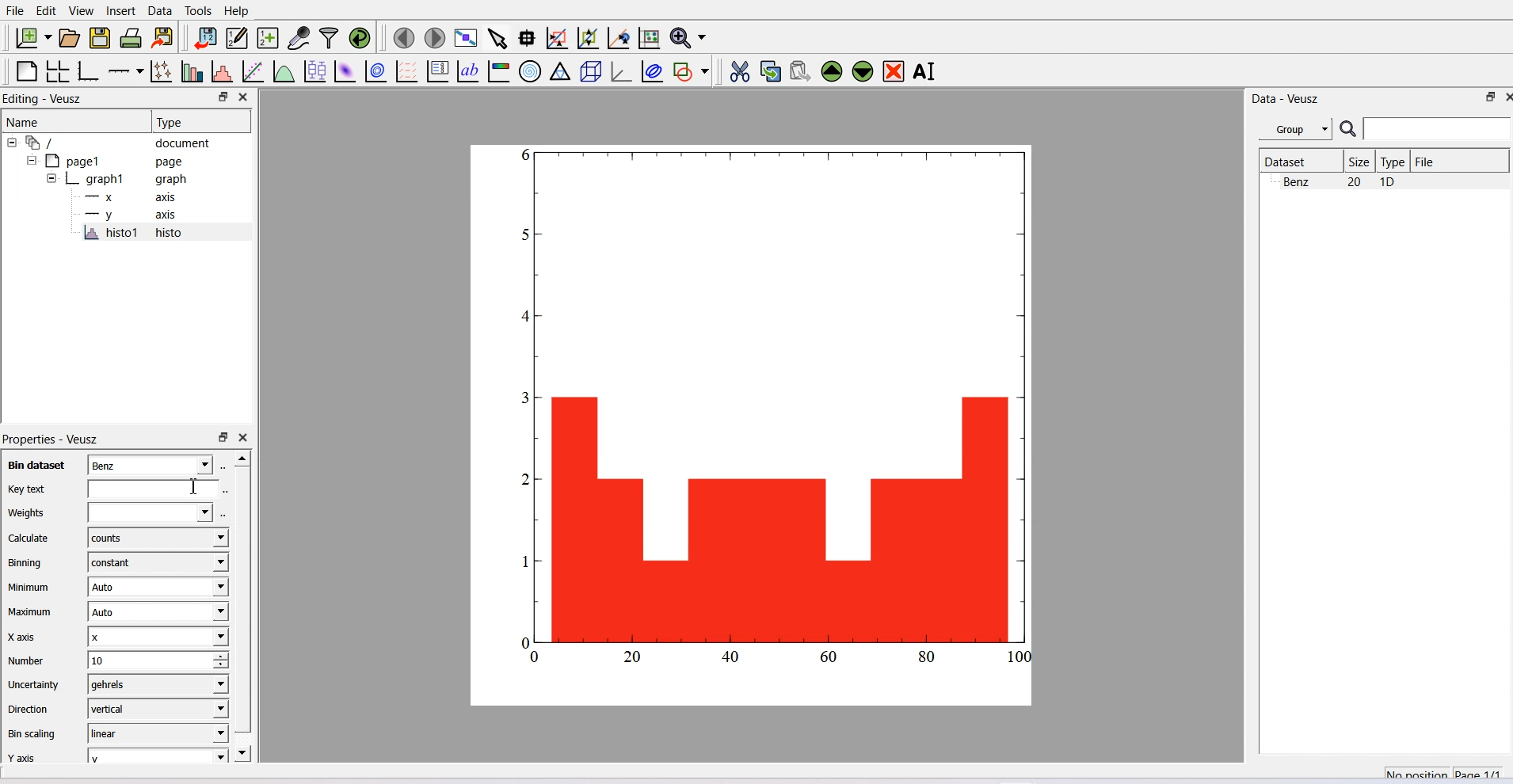 The width and height of the screenshot is (1513, 784). Describe the element at coordinates (360, 37) in the screenshot. I see `Reload linked dataset` at that location.